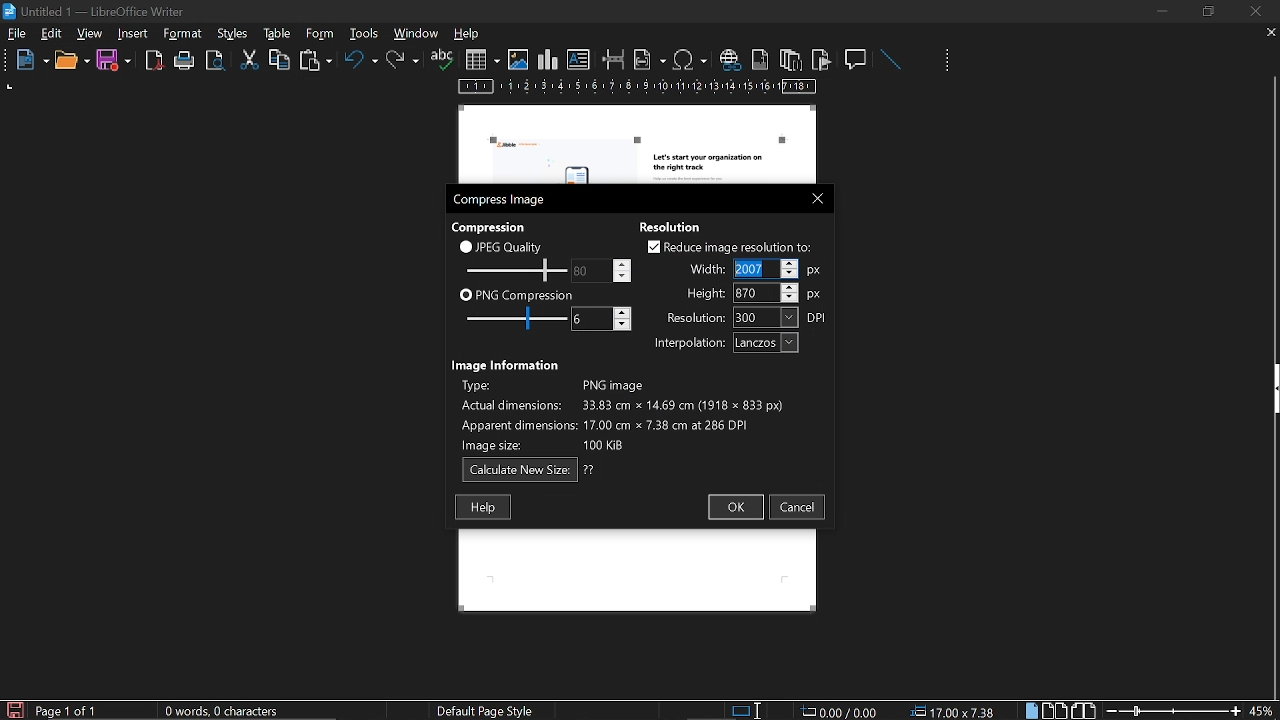 The width and height of the screenshot is (1280, 720). Describe the element at coordinates (1263, 710) in the screenshot. I see `current zoom` at that location.